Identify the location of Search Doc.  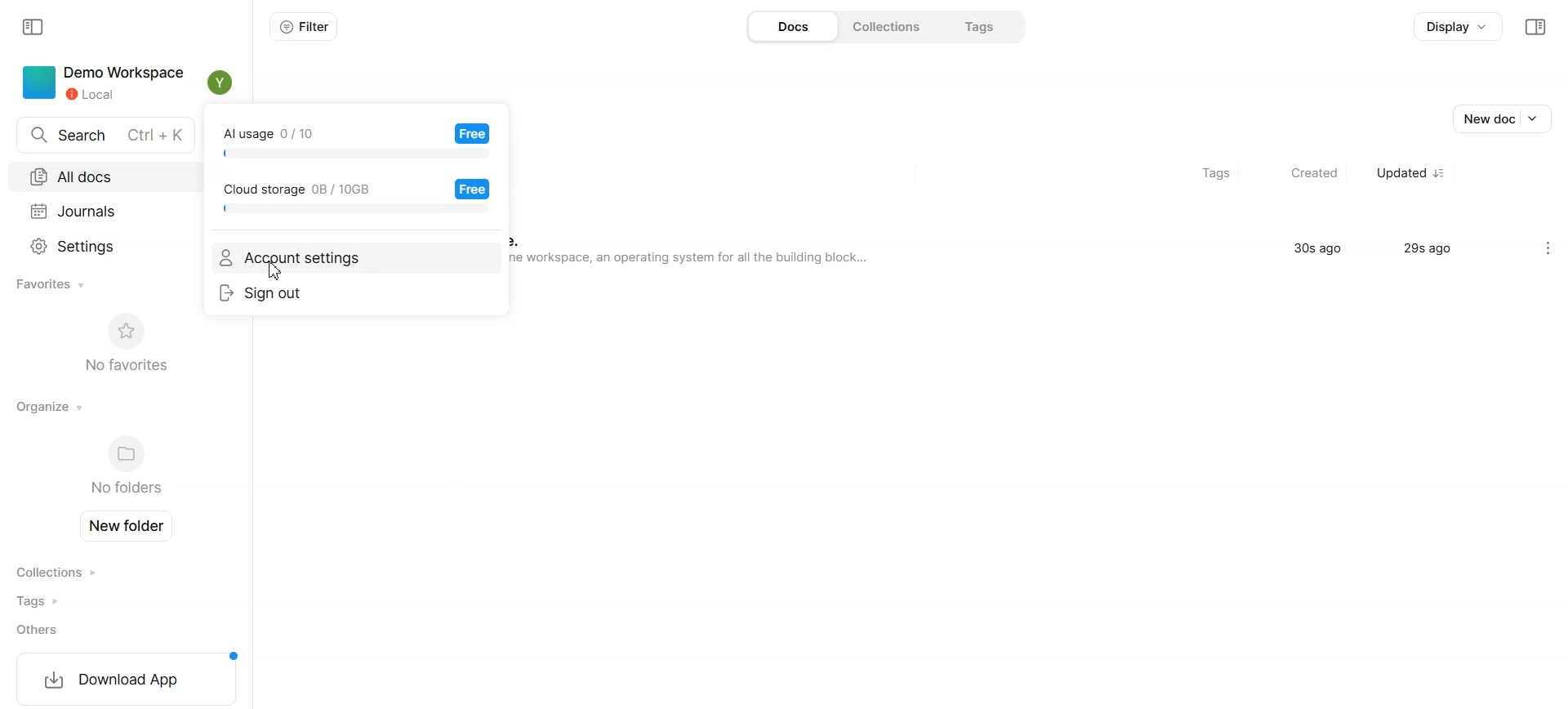
(100, 135).